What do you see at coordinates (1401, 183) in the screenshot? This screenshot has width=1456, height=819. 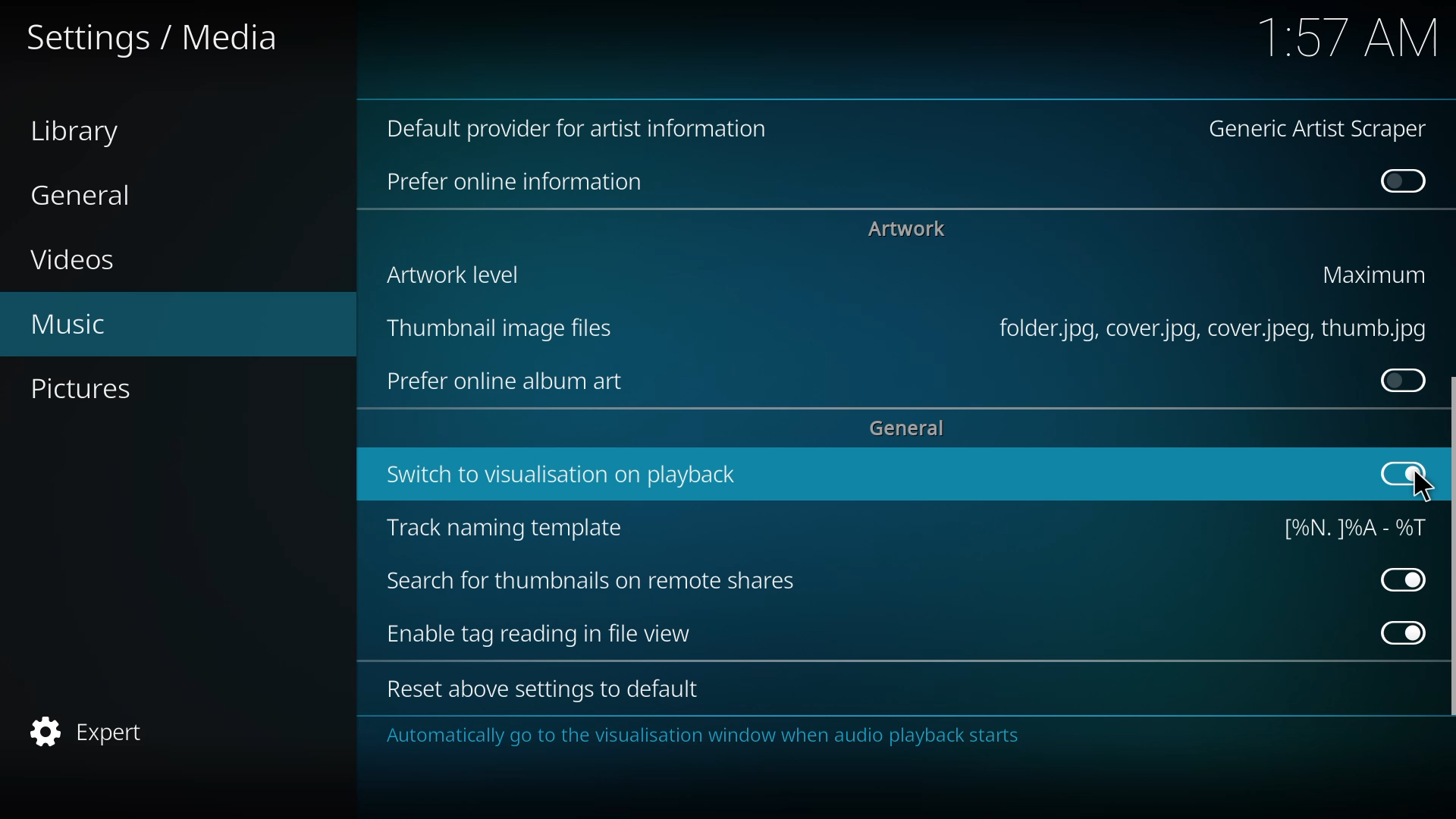 I see `disabled` at bounding box center [1401, 183].